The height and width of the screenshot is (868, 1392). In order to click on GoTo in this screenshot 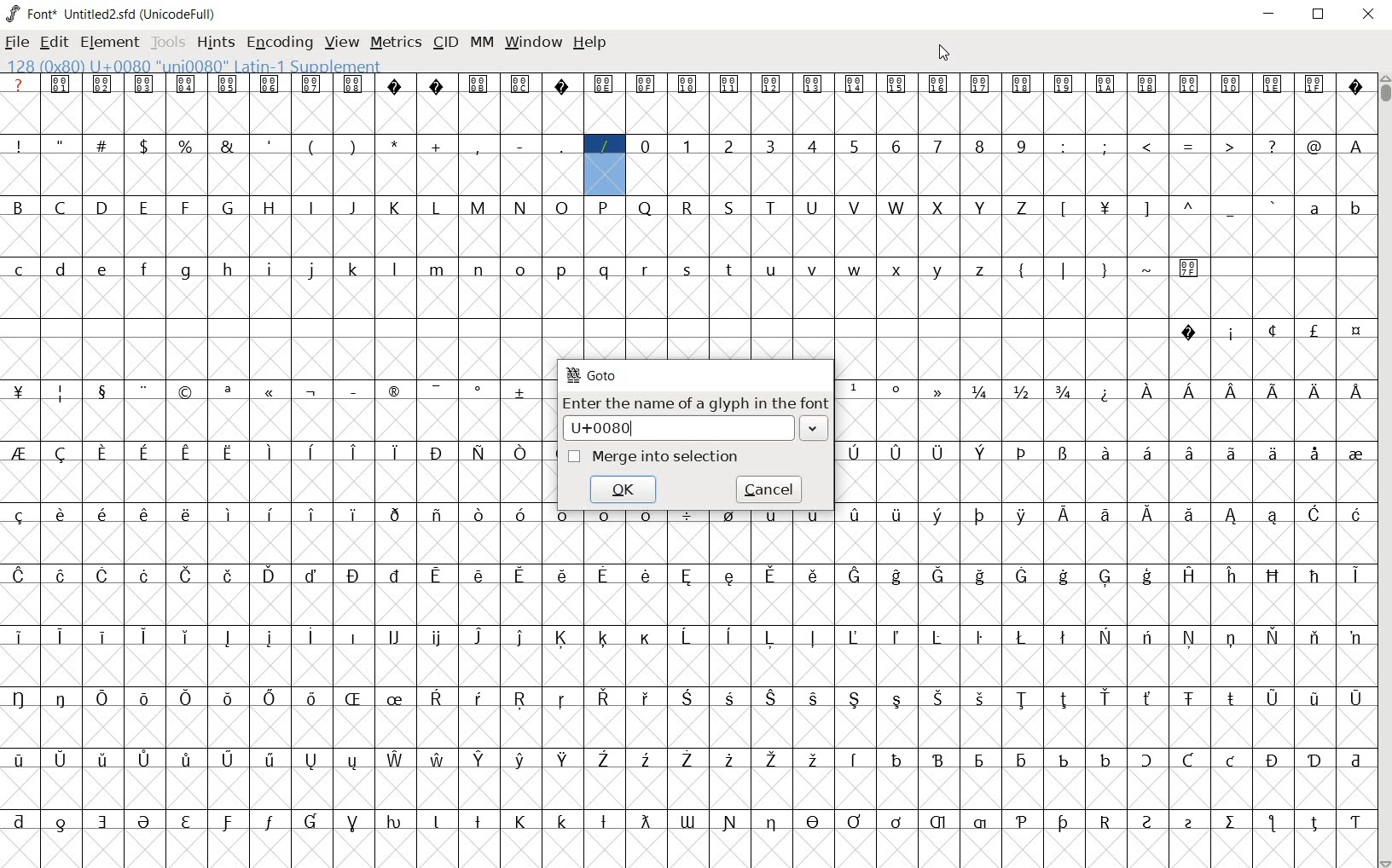, I will do `click(593, 375)`.